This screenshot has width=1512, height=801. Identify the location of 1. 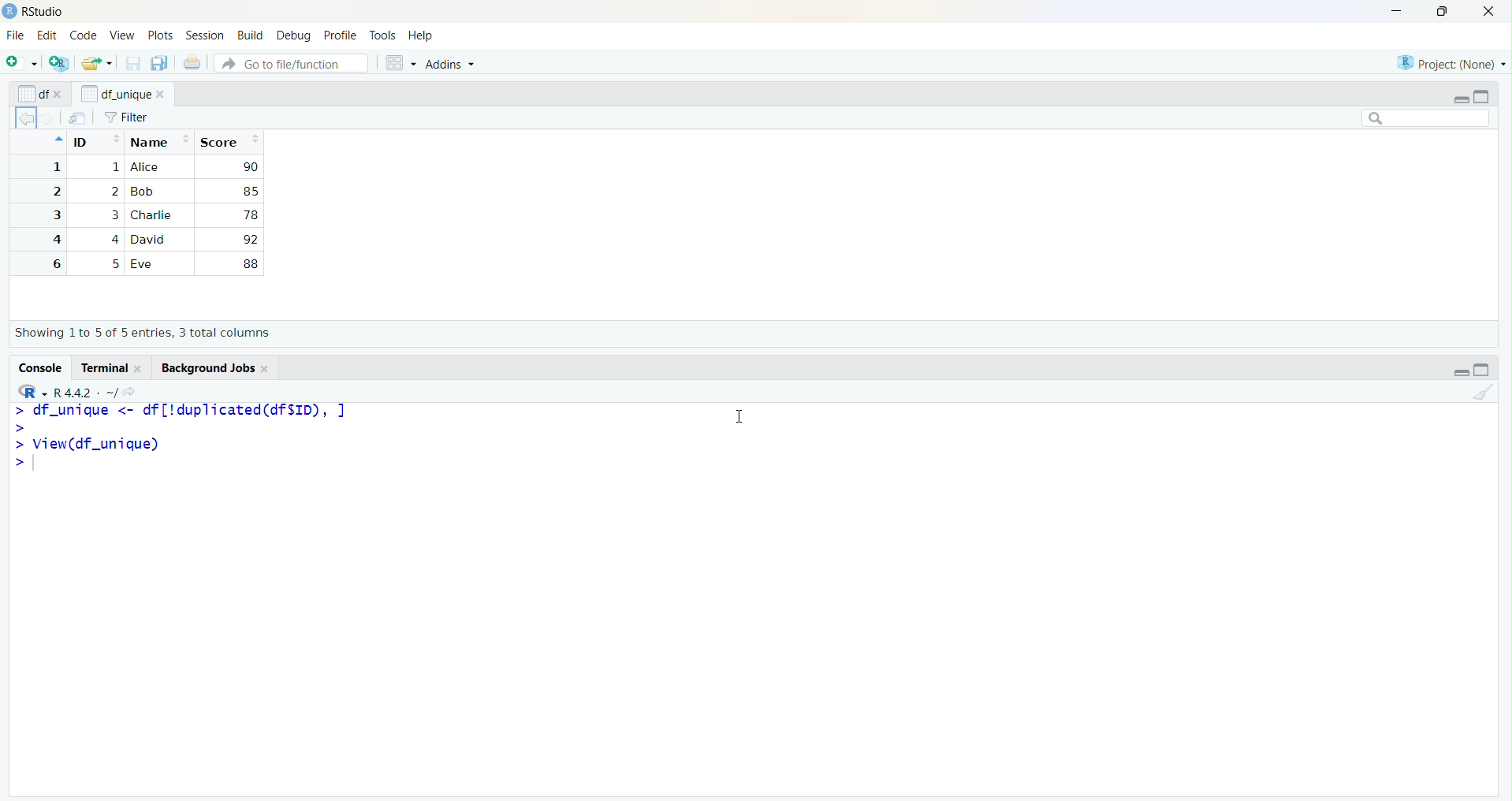
(114, 168).